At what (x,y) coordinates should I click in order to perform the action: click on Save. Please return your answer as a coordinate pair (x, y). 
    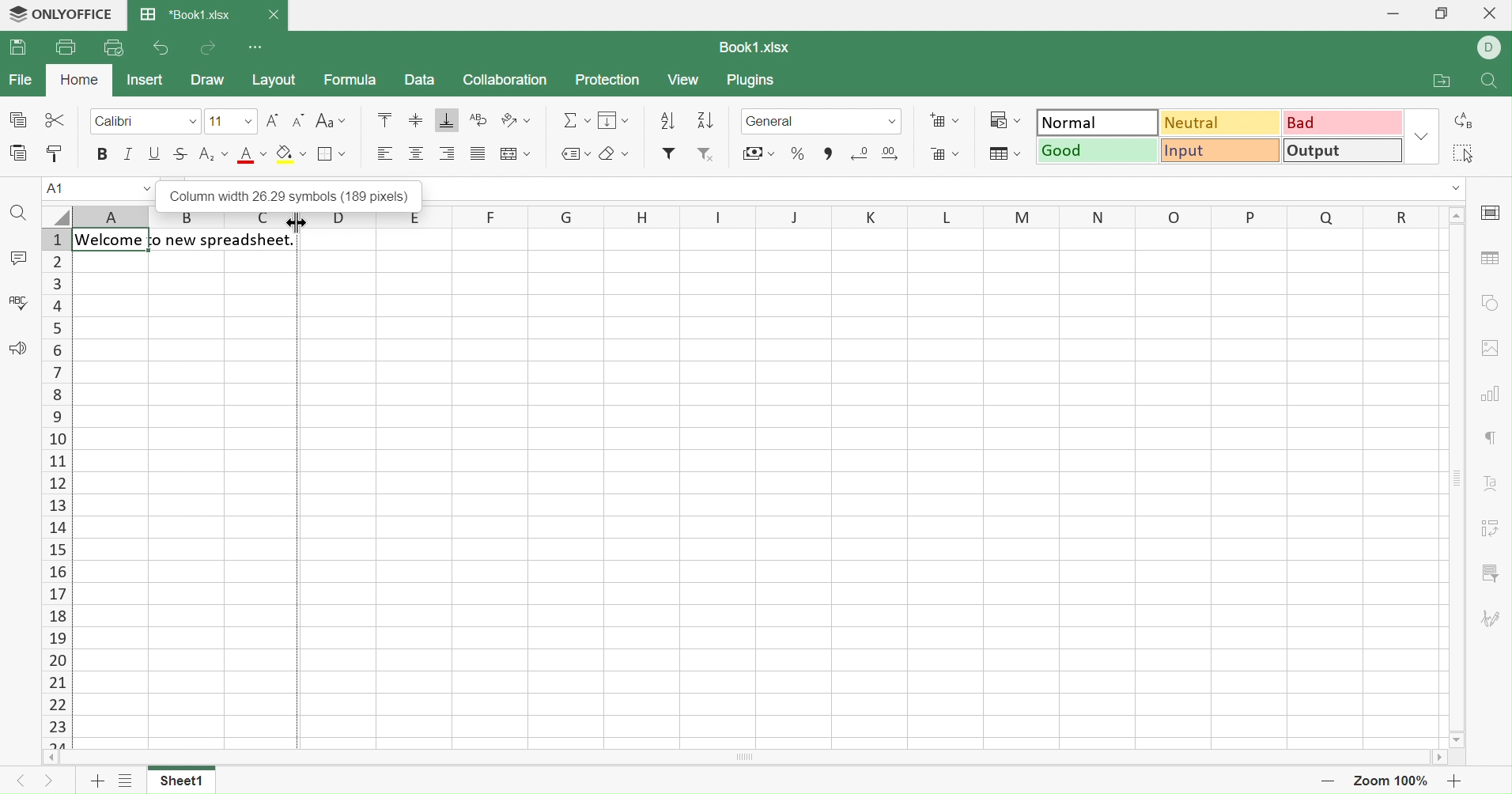
    Looking at the image, I should click on (19, 49).